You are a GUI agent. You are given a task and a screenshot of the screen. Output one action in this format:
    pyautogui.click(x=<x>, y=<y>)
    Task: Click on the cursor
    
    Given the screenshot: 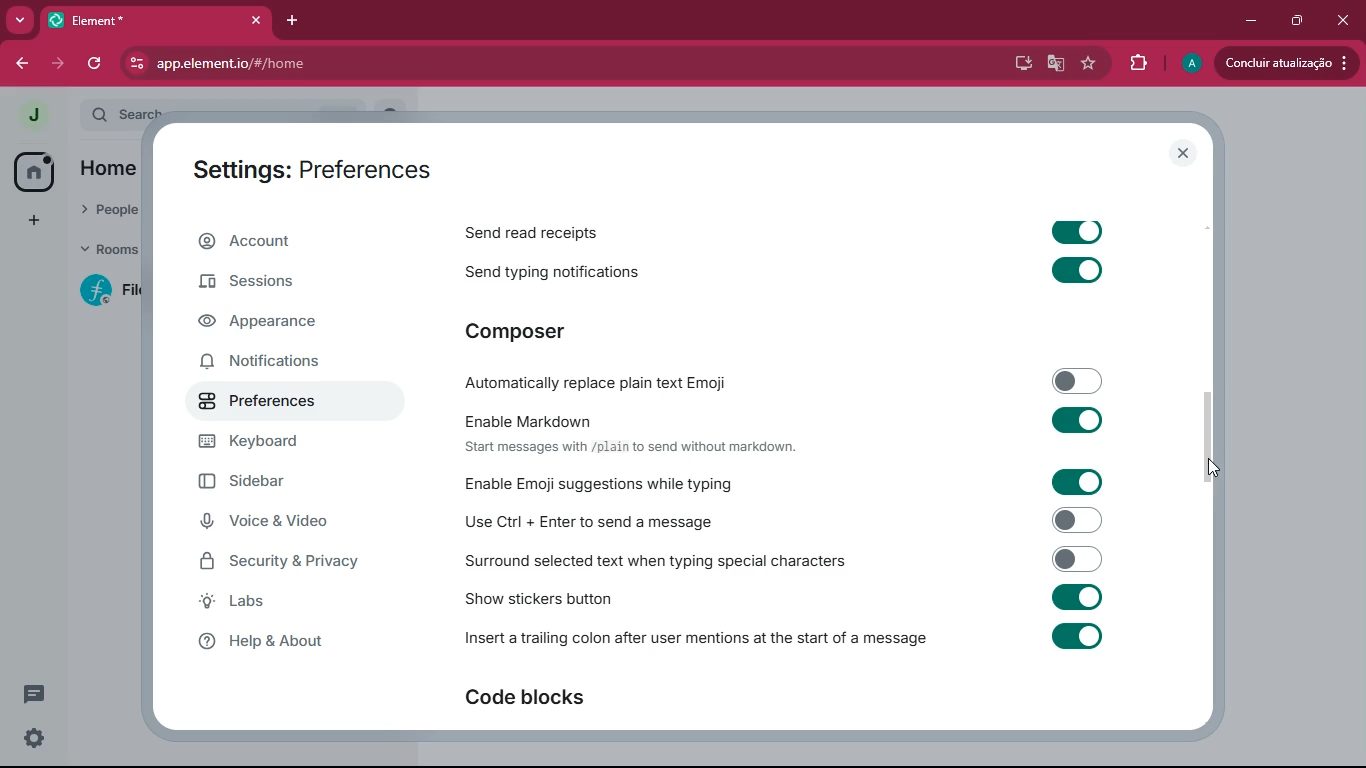 What is the action you would take?
    pyautogui.click(x=1208, y=469)
    